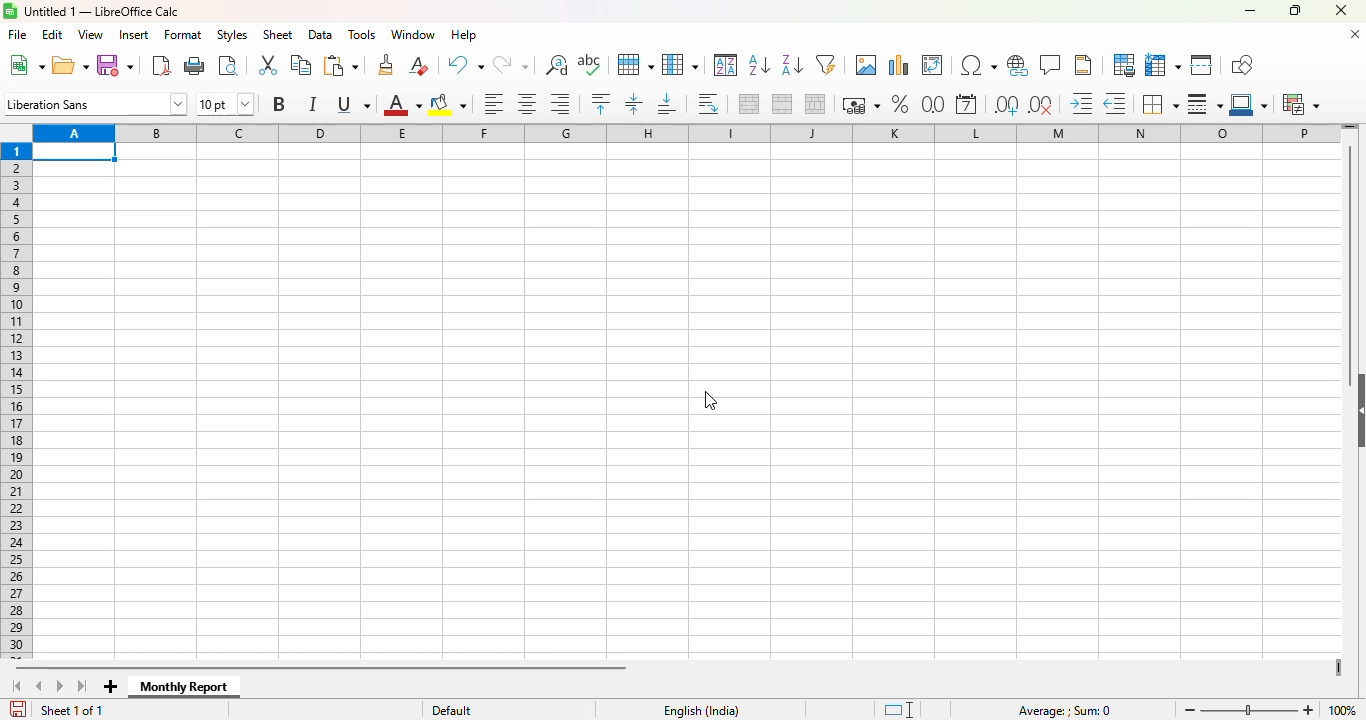  Describe the element at coordinates (1085, 65) in the screenshot. I see `headers and footers` at that location.